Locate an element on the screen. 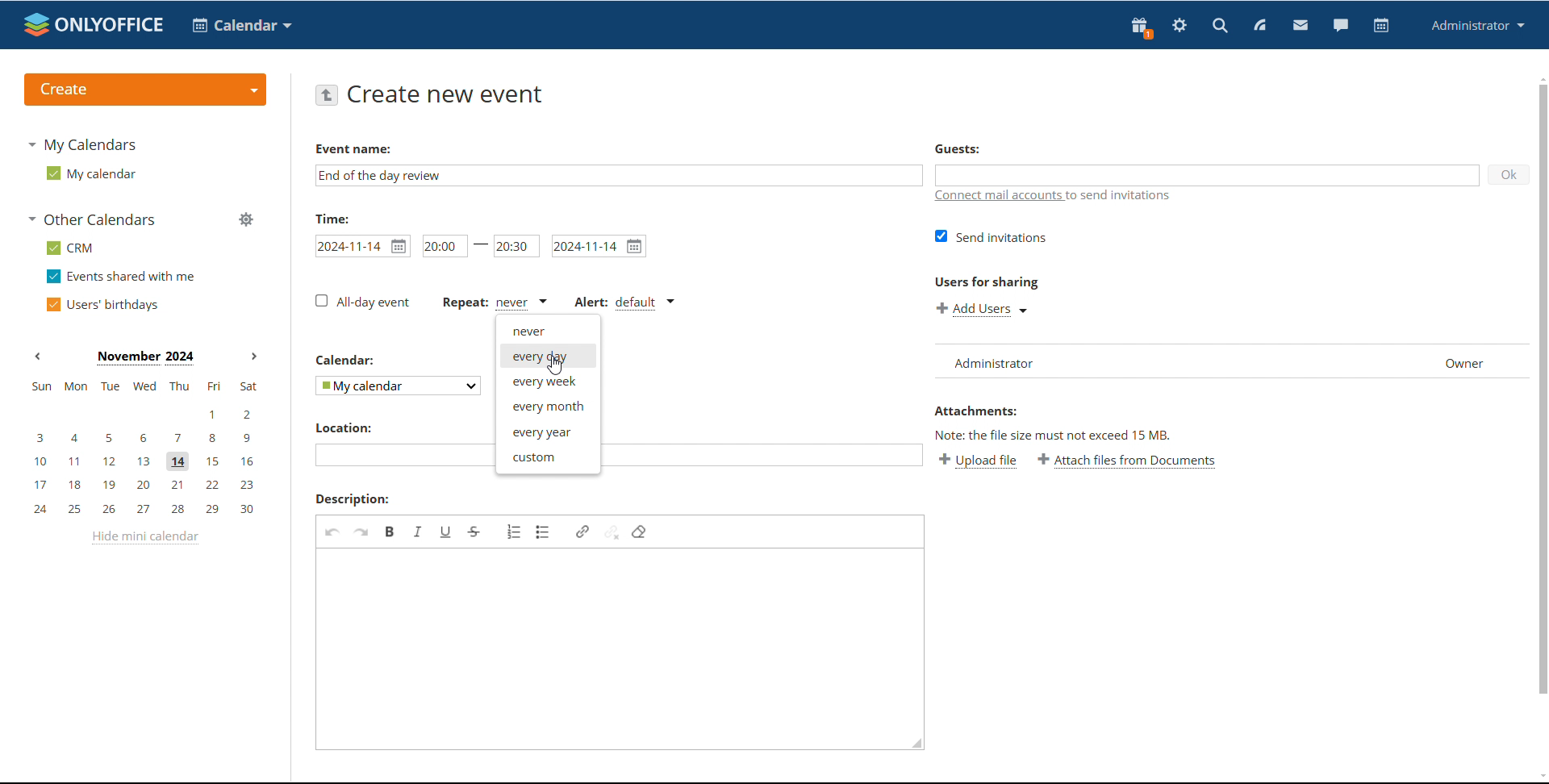 This screenshot has width=1549, height=784. set start date is located at coordinates (362, 246).